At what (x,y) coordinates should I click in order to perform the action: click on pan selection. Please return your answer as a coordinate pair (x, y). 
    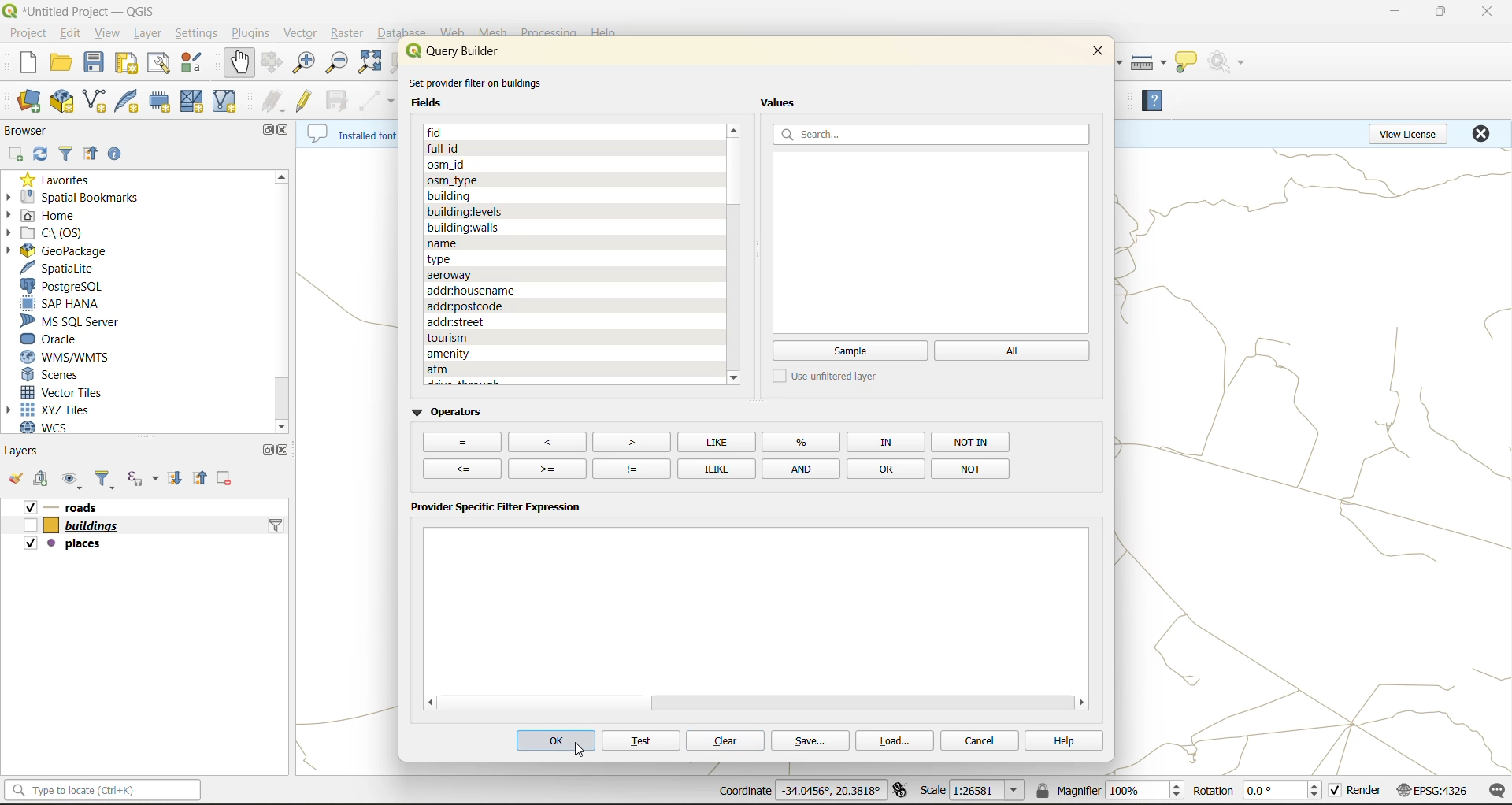
    Looking at the image, I should click on (270, 65).